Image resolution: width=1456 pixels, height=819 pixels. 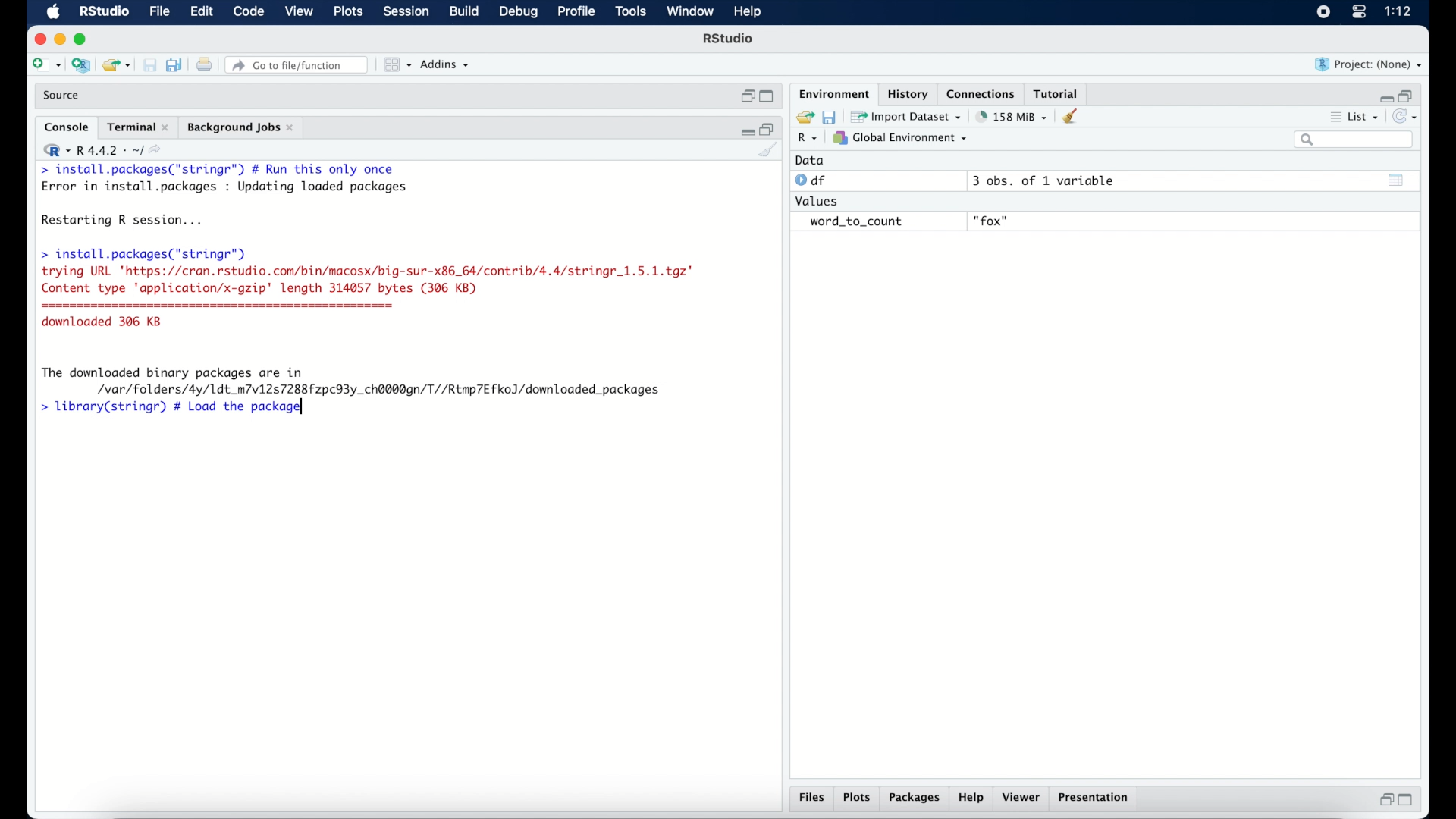 I want to click on minimize, so click(x=1384, y=98).